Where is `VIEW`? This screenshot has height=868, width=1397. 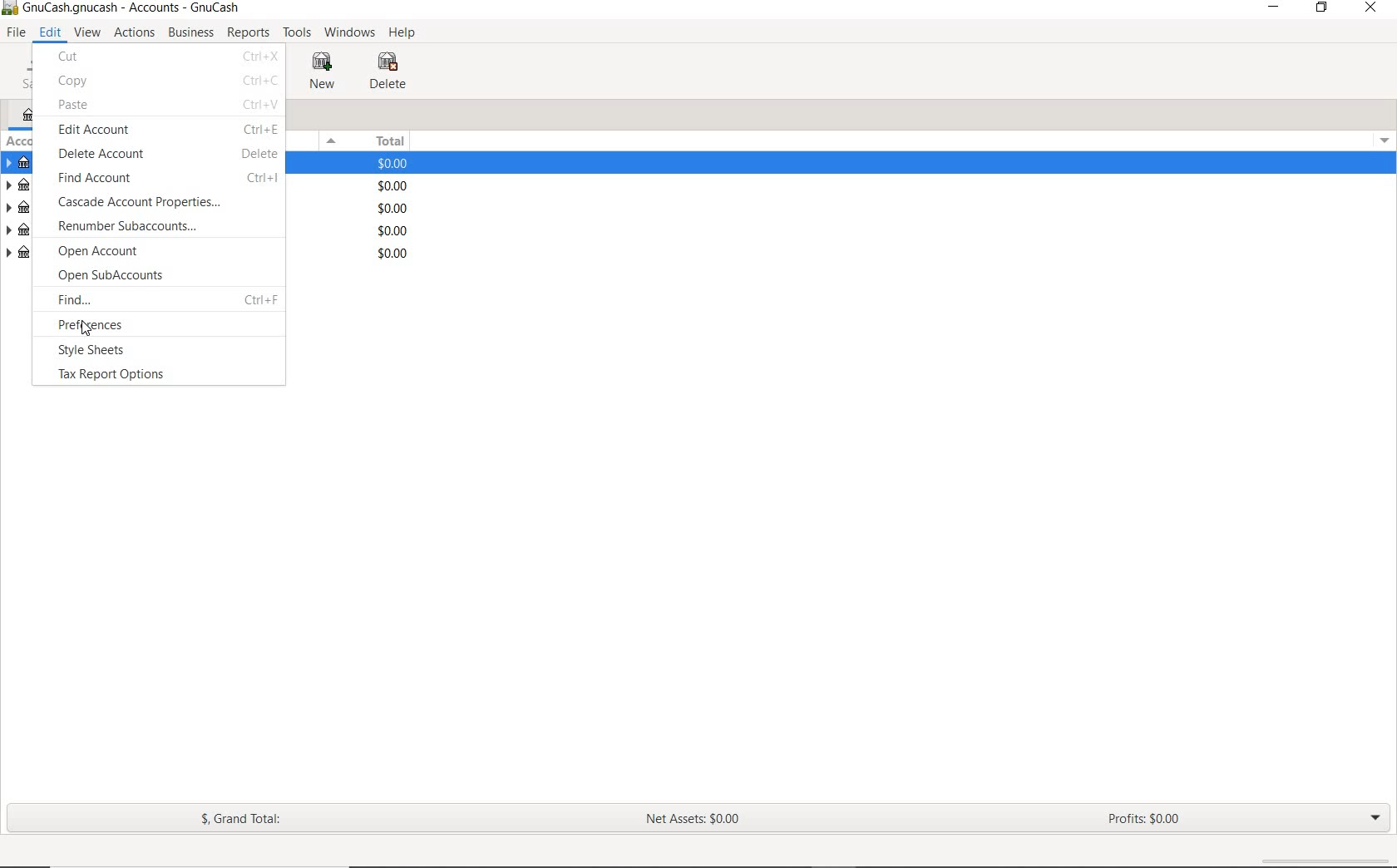 VIEW is located at coordinates (88, 33).